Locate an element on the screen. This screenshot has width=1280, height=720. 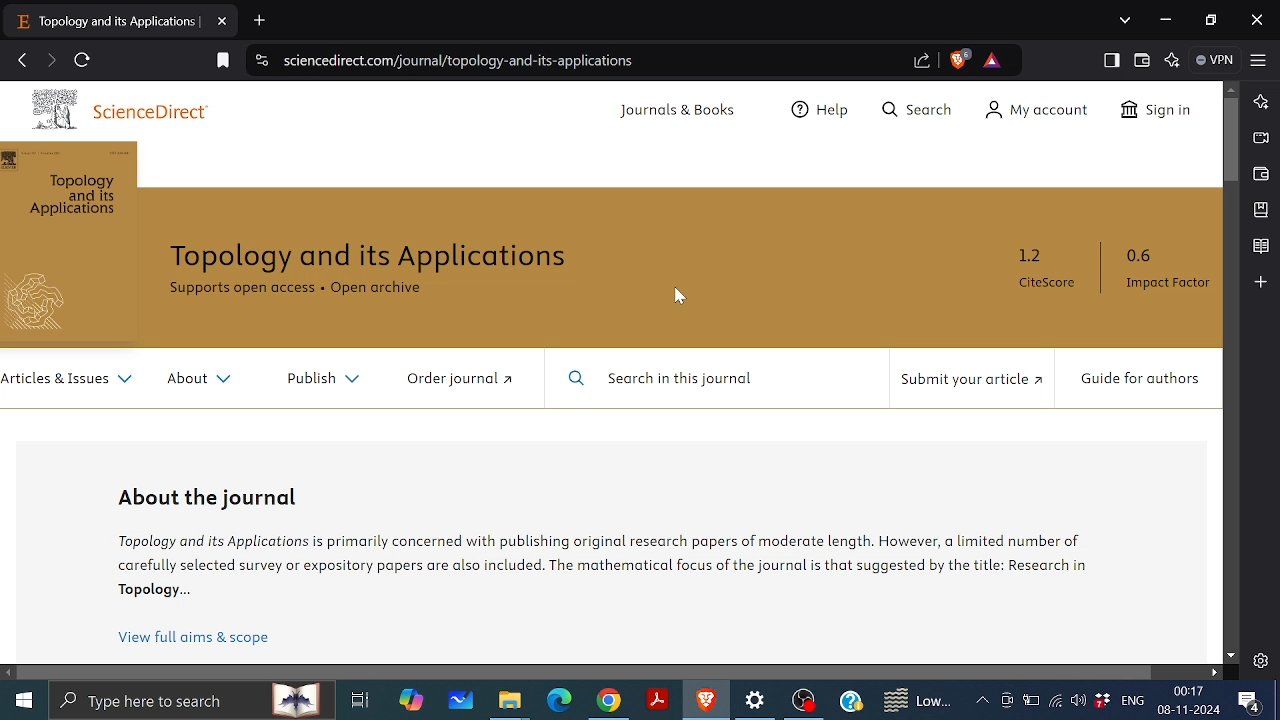
open archive is located at coordinates (378, 289).